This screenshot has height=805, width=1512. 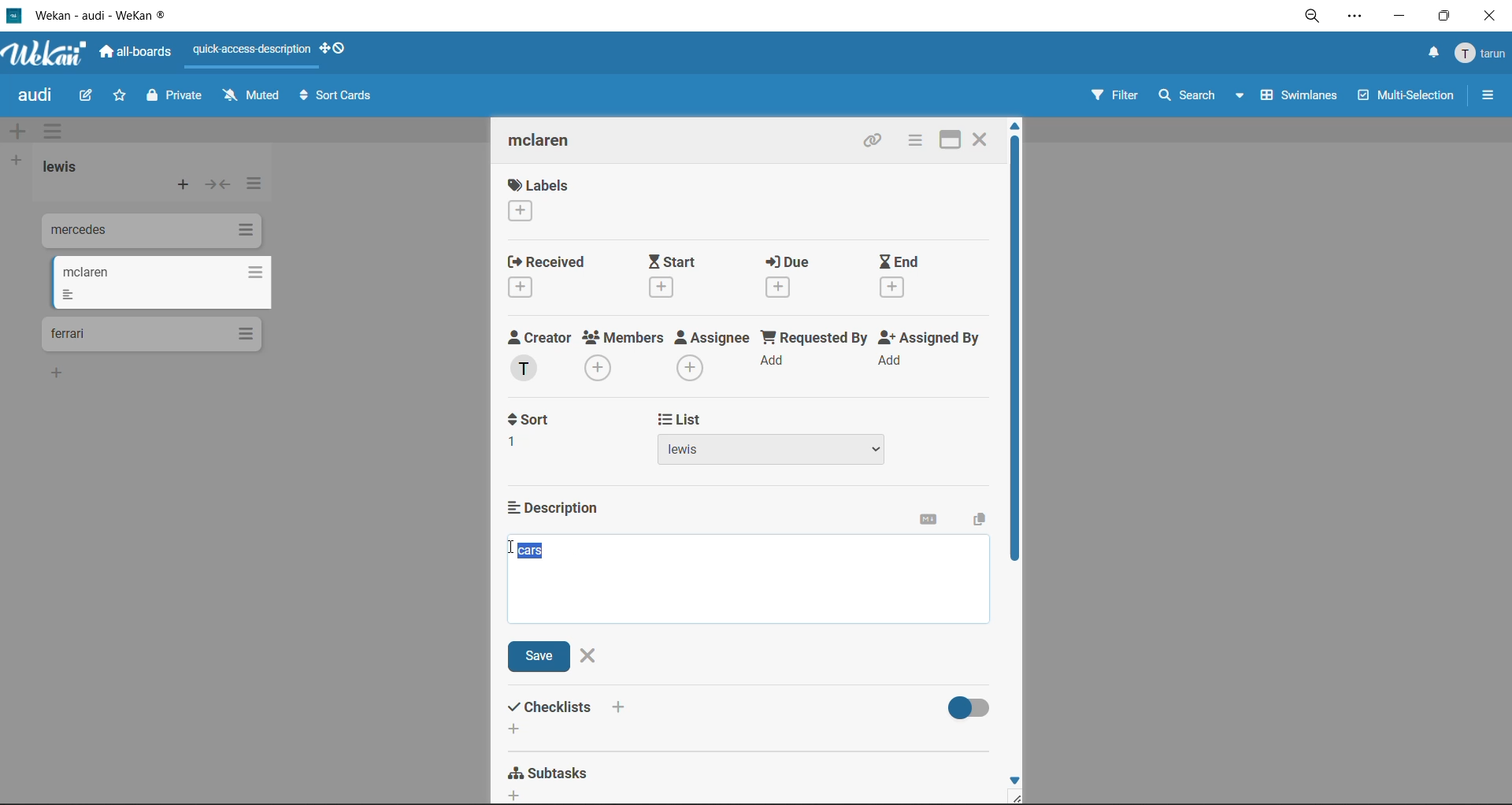 What do you see at coordinates (335, 99) in the screenshot?
I see `sort cards` at bounding box center [335, 99].